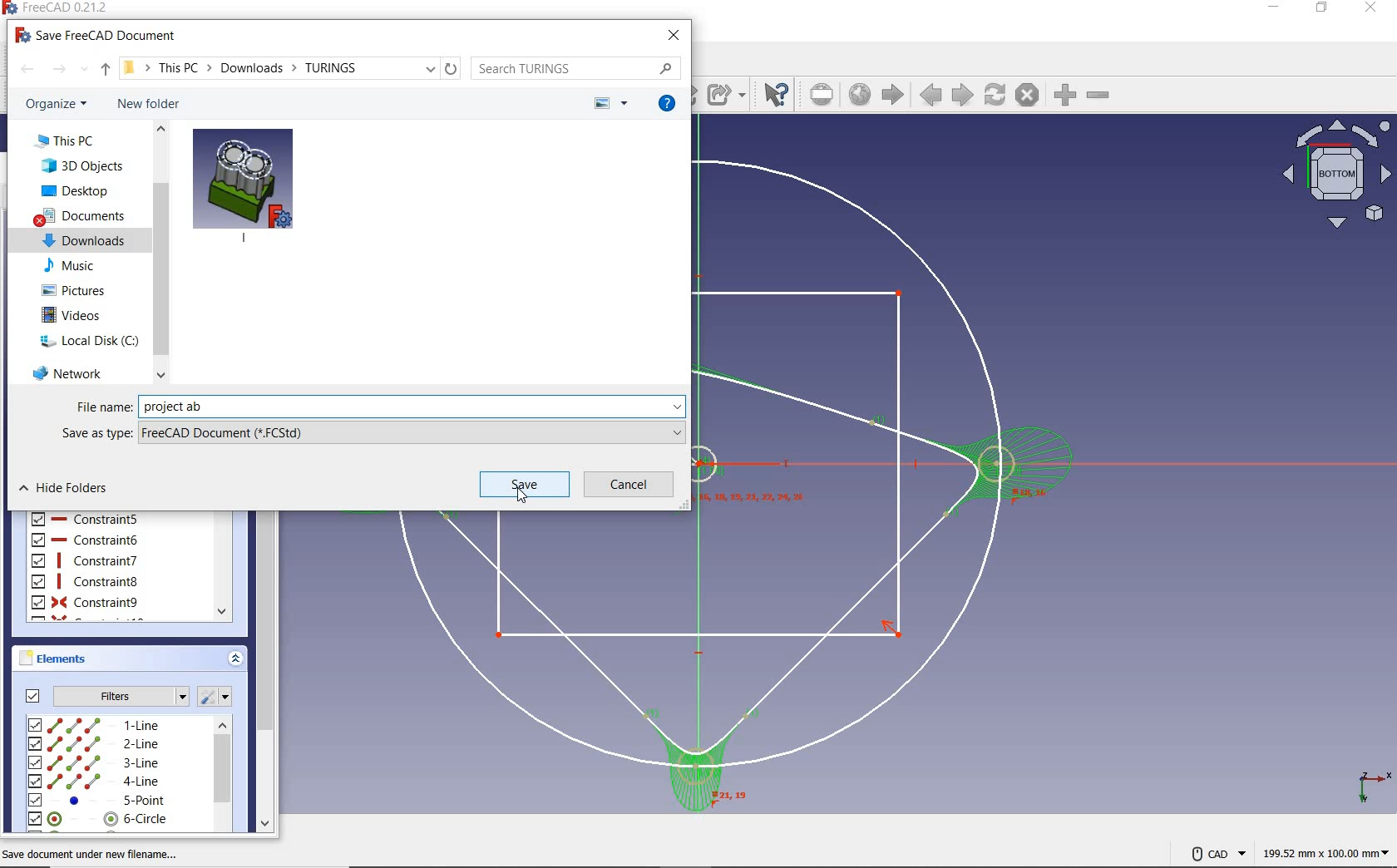 This screenshot has height=868, width=1397. Describe the element at coordinates (76, 289) in the screenshot. I see `pictures` at that location.